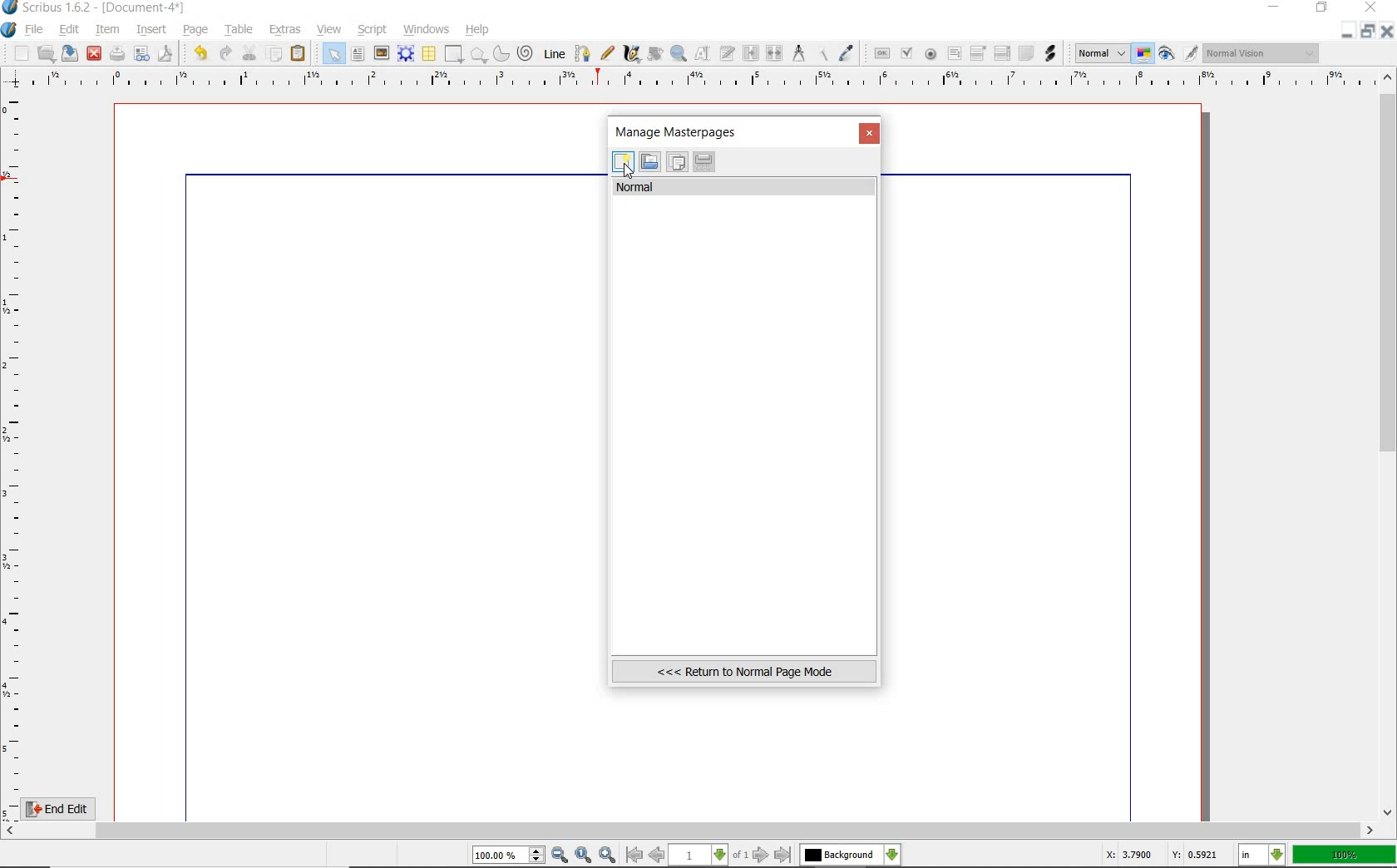  I want to click on go to last page, so click(783, 855).